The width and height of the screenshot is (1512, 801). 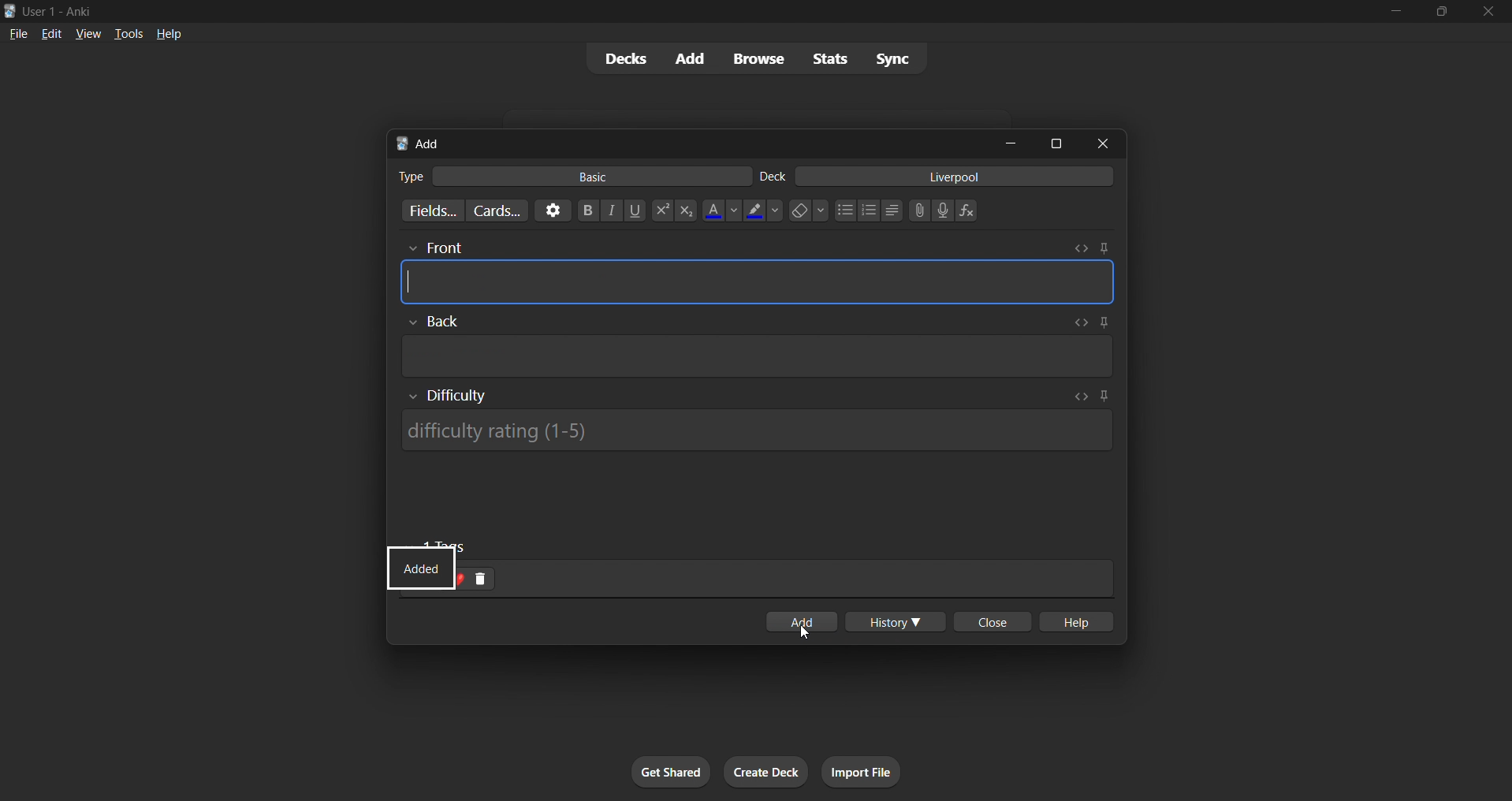 I want to click on Bold, so click(x=587, y=209).